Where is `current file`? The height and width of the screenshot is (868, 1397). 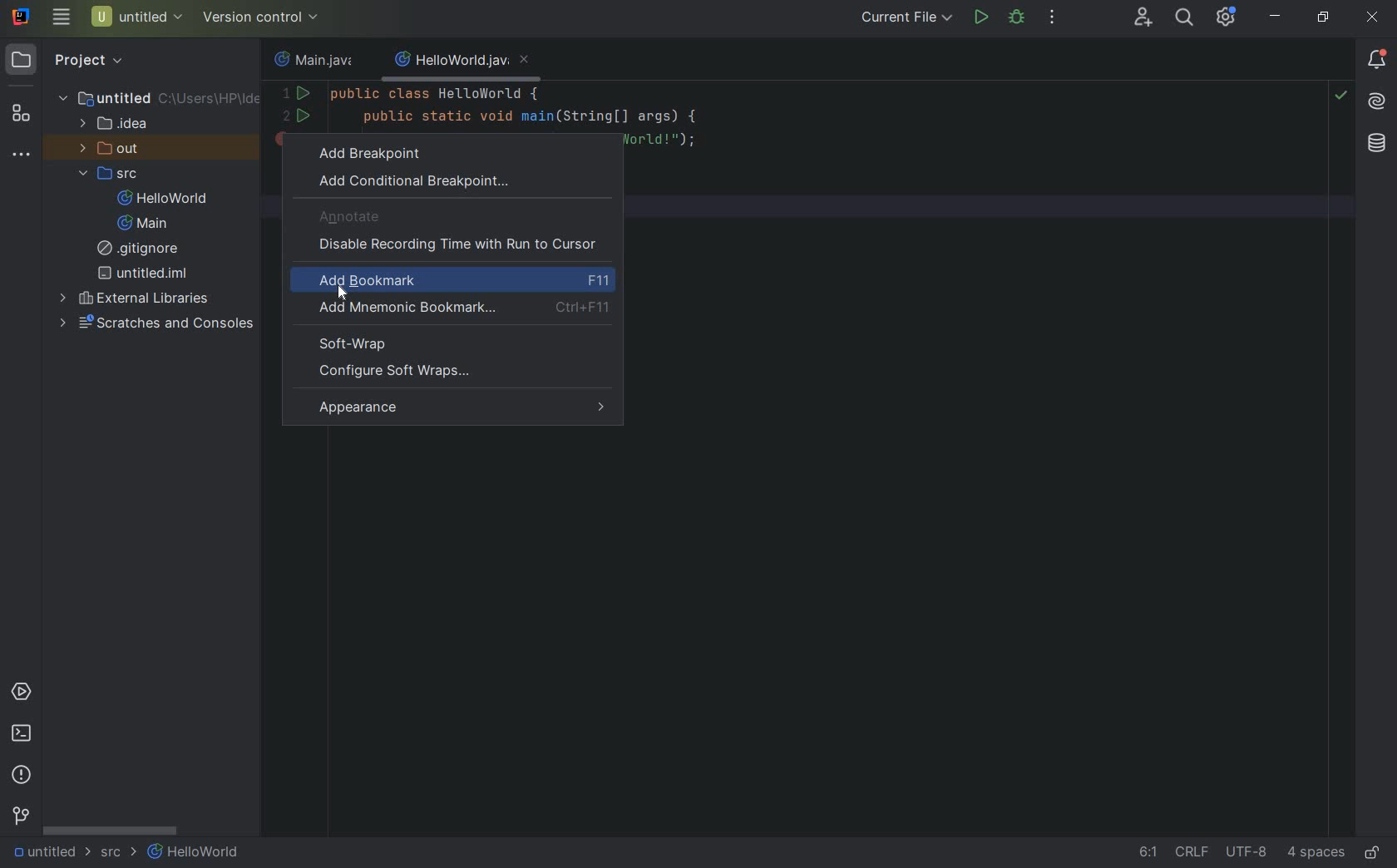
current file is located at coordinates (909, 18).